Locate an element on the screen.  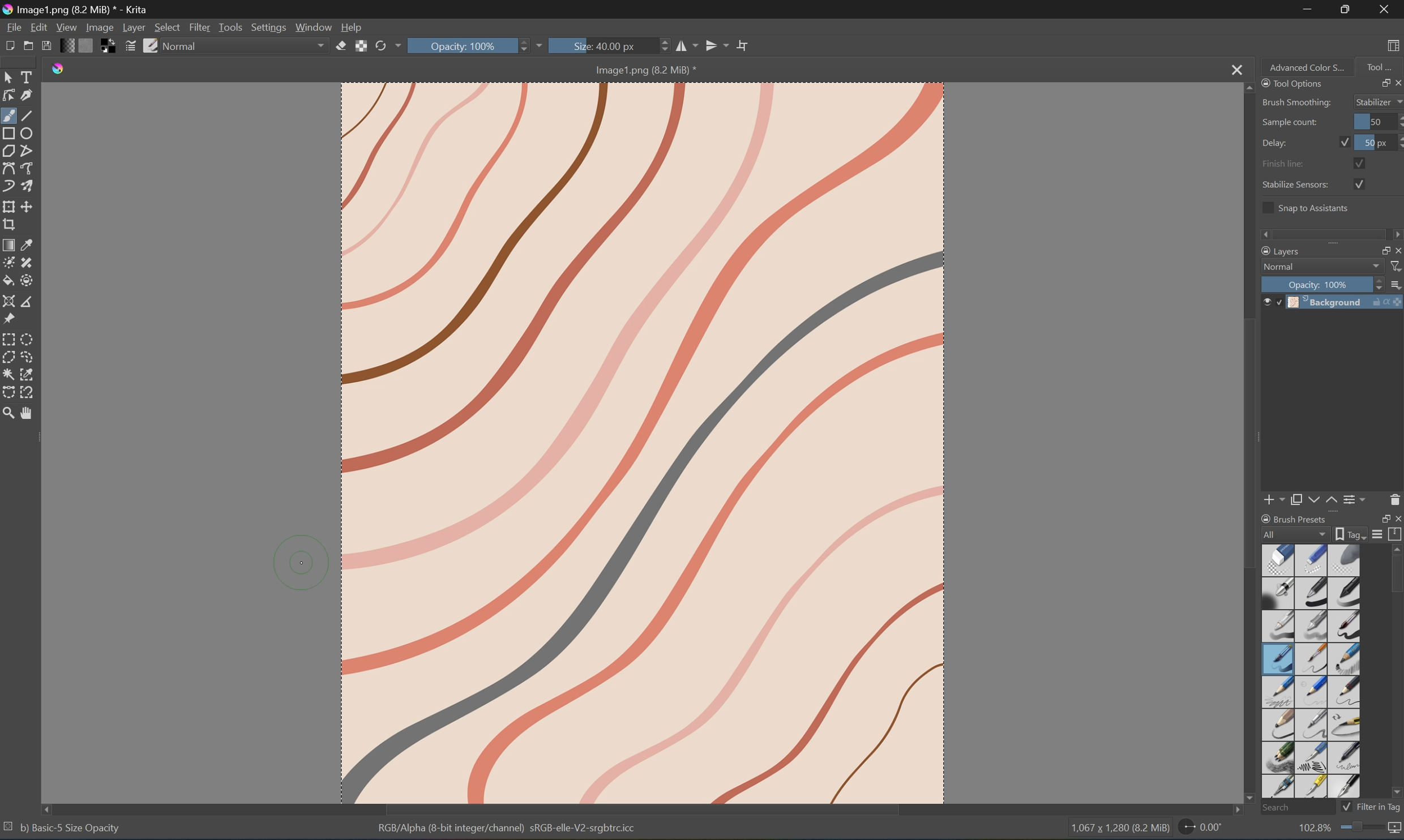
Window is located at coordinates (315, 28).